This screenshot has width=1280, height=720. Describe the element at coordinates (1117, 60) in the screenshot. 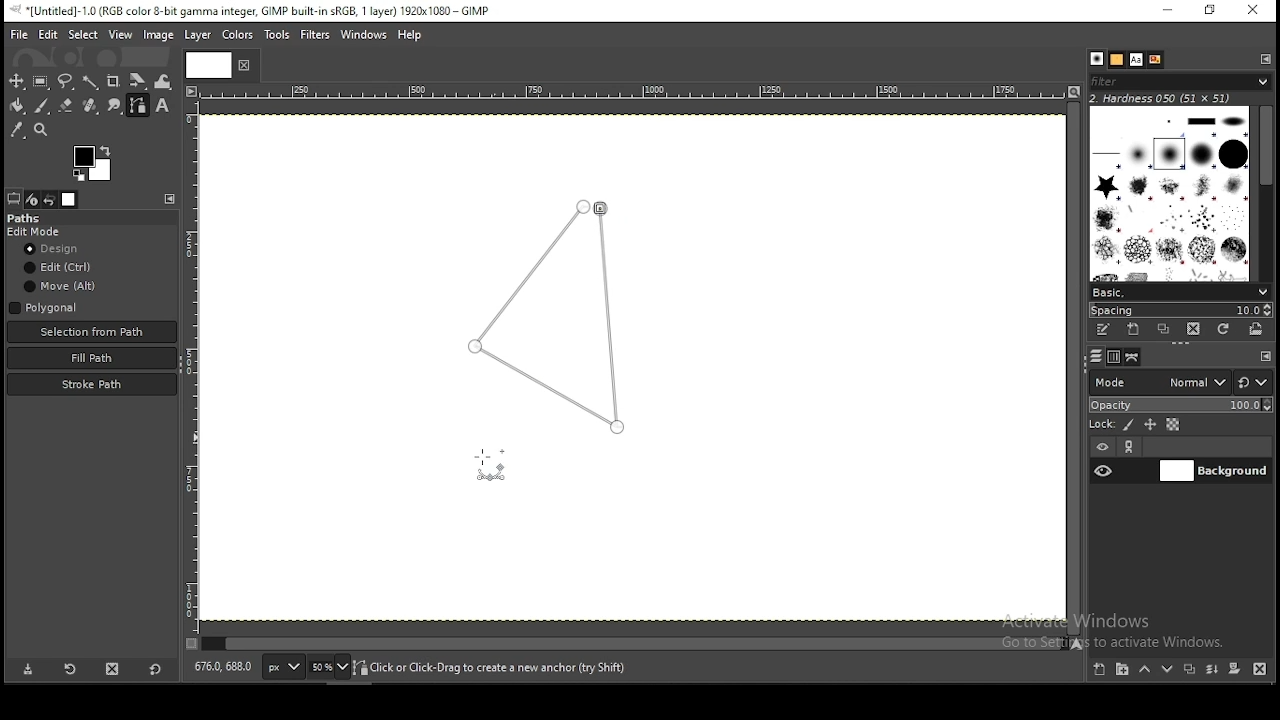

I see `patterns` at that location.